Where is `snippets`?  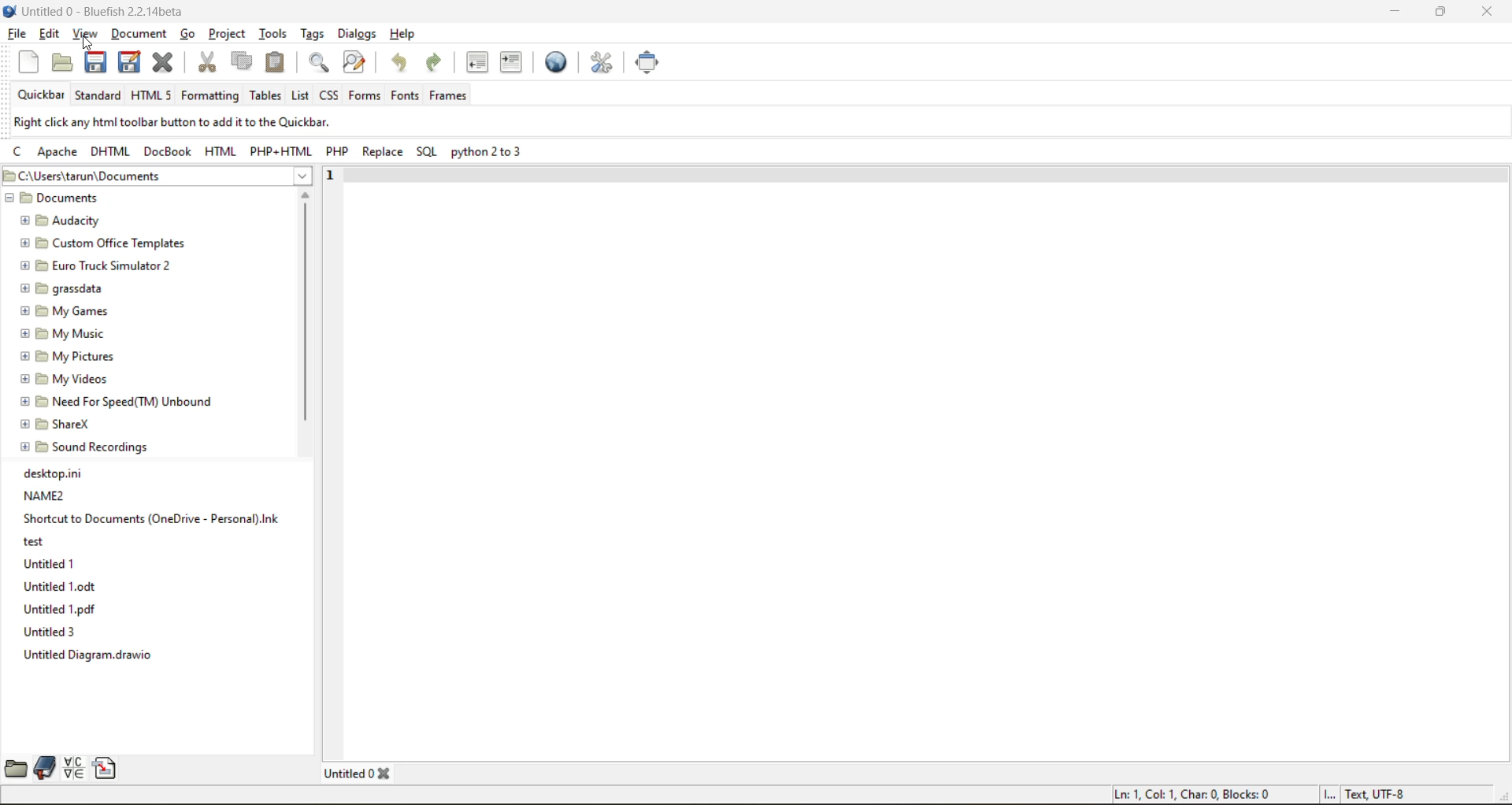
snippets is located at coordinates (106, 770).